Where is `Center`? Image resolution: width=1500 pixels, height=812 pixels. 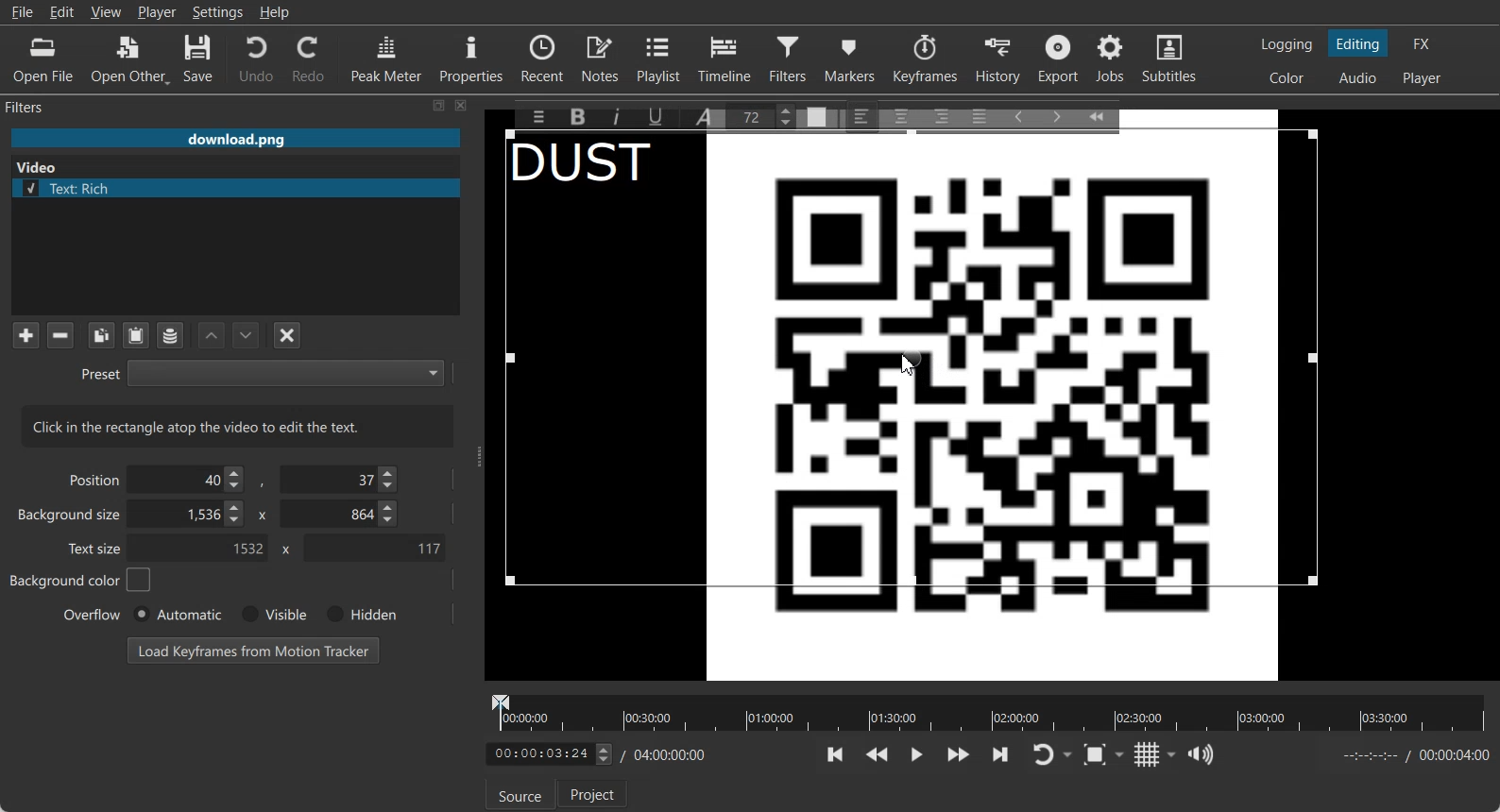 Center is located at coordinates (903, 115).